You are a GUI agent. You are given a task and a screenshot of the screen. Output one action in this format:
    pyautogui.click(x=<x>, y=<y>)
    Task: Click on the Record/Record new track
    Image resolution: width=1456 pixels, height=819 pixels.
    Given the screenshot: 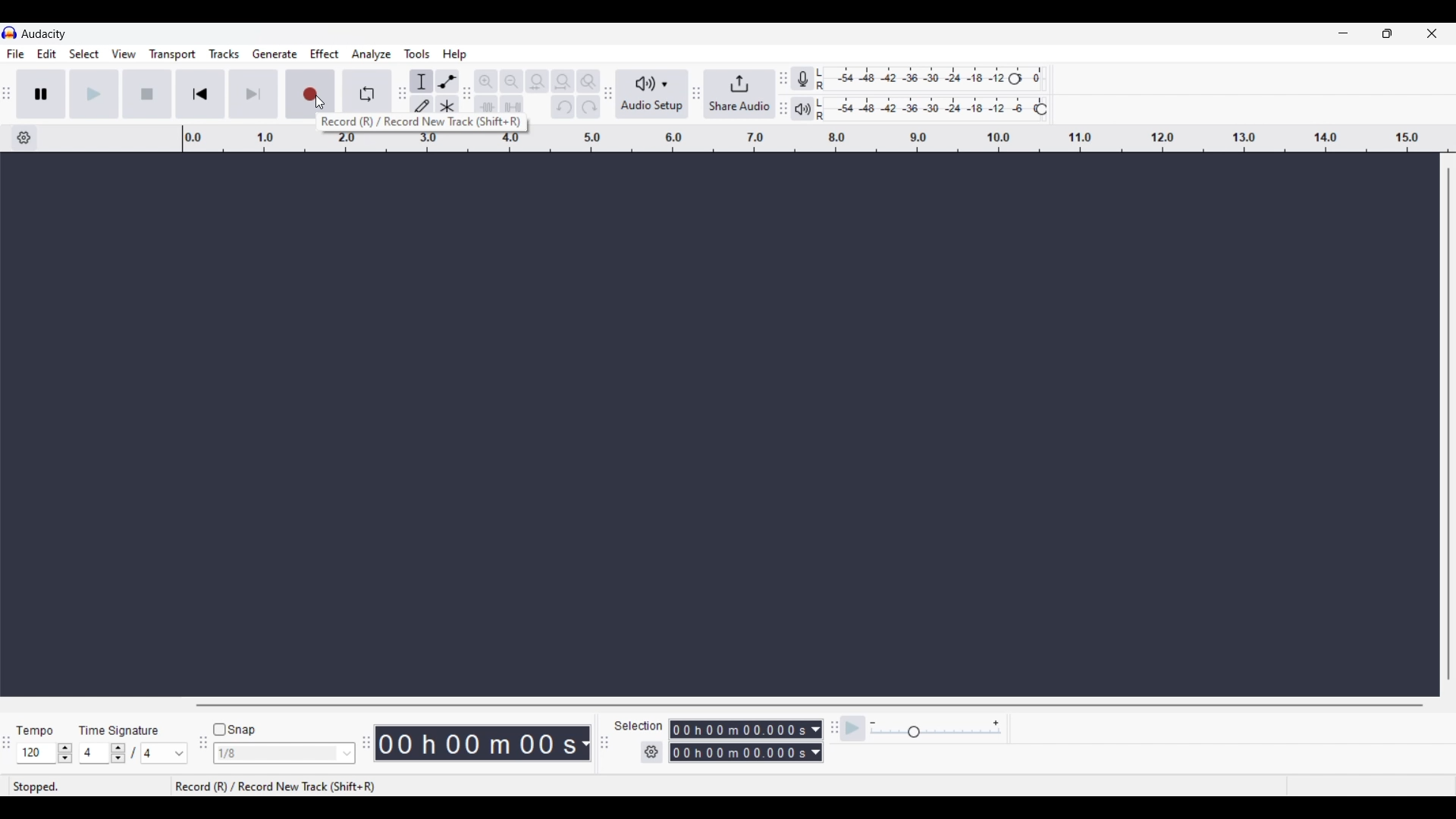 What is the action you would take?
    pyautogui.click(x=309, y=93)
    